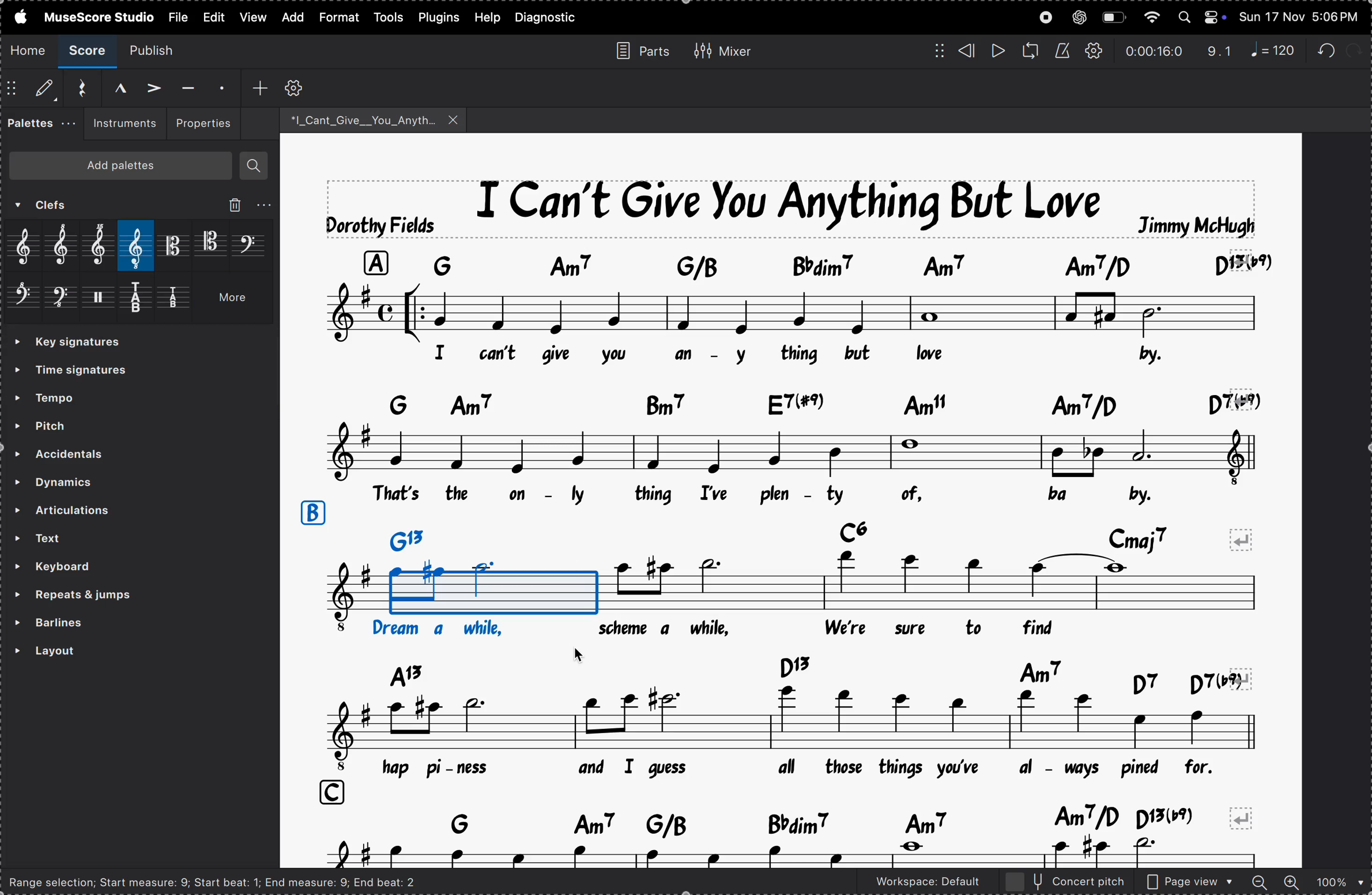 The height and width of the screenshot is (895, 1372). Describe the element at coordinates (211, 242) in the screenshot. I see `tenor clef` at that location.